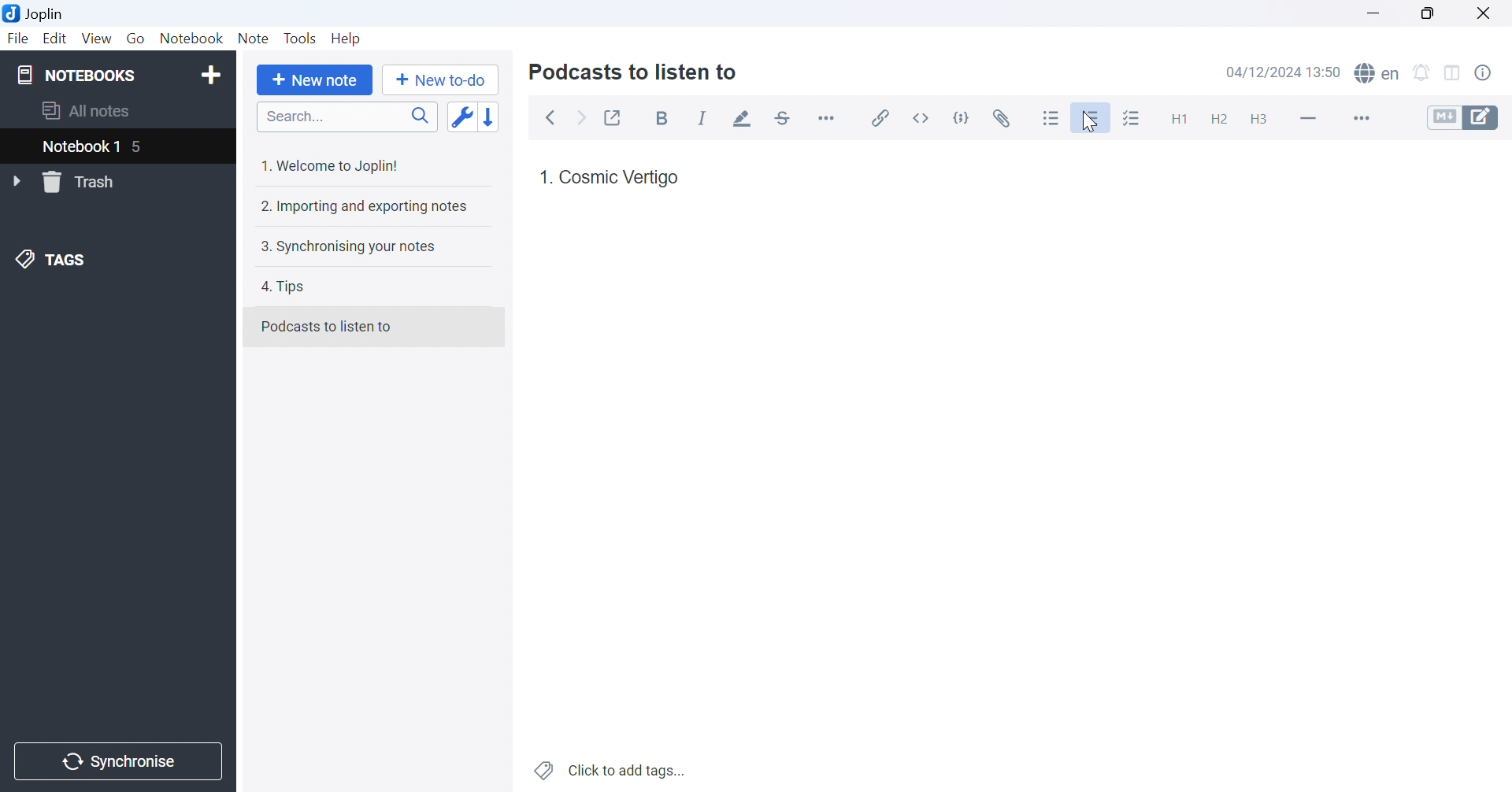 Image resolution: width=1512 pixels, height=792 pixels. Describe the element at coordinates (1090, 121) in the screenshot. I see `Cursor` at that location.